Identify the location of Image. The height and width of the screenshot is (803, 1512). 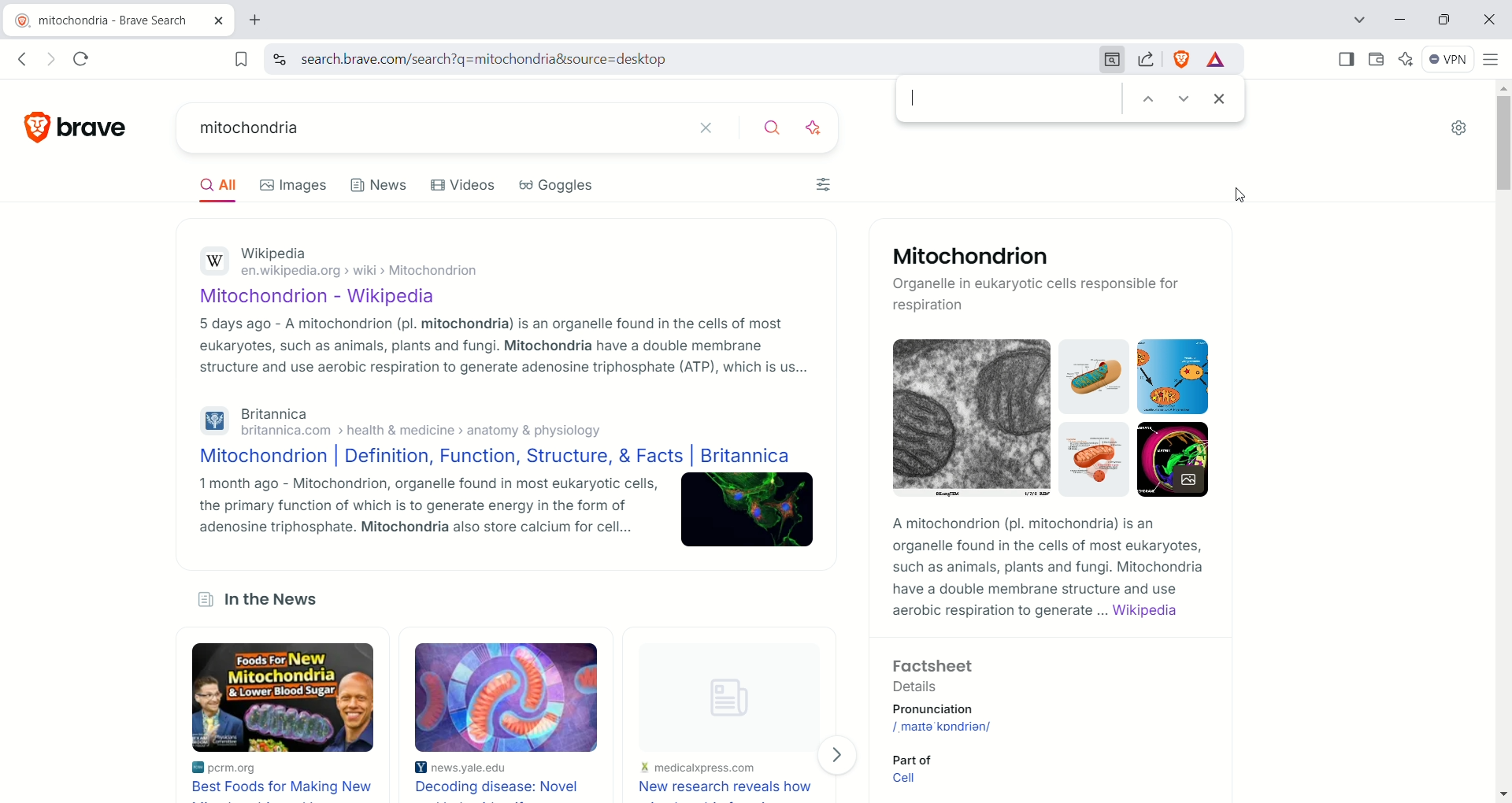
(1170, 377).